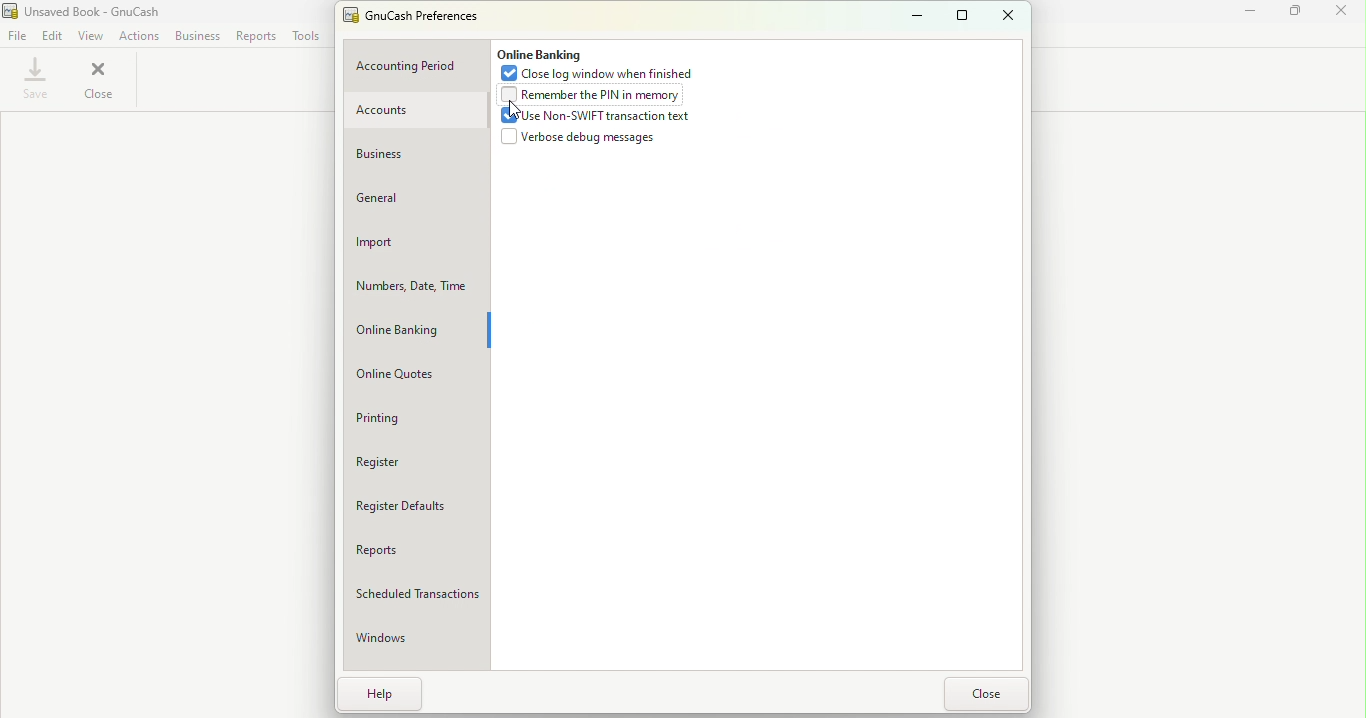 This screenshot has height=718, width=1366. Describe the element at coordinates (414, 66) in the screenshot. I see `Accounting period` at that location.